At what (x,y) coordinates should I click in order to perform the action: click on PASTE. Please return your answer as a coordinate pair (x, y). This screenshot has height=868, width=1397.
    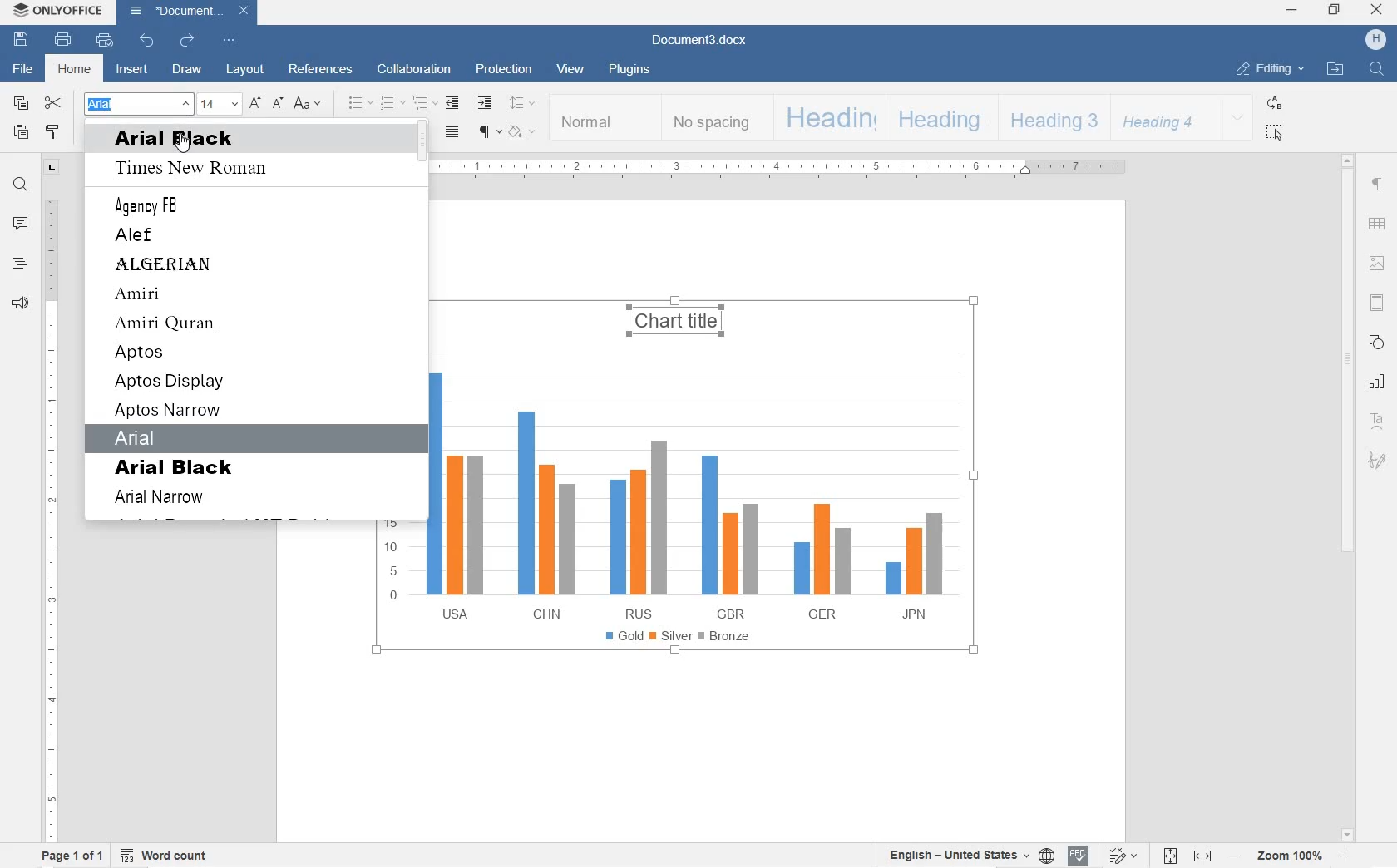
    Looking at the image, I should click on (21, 132).